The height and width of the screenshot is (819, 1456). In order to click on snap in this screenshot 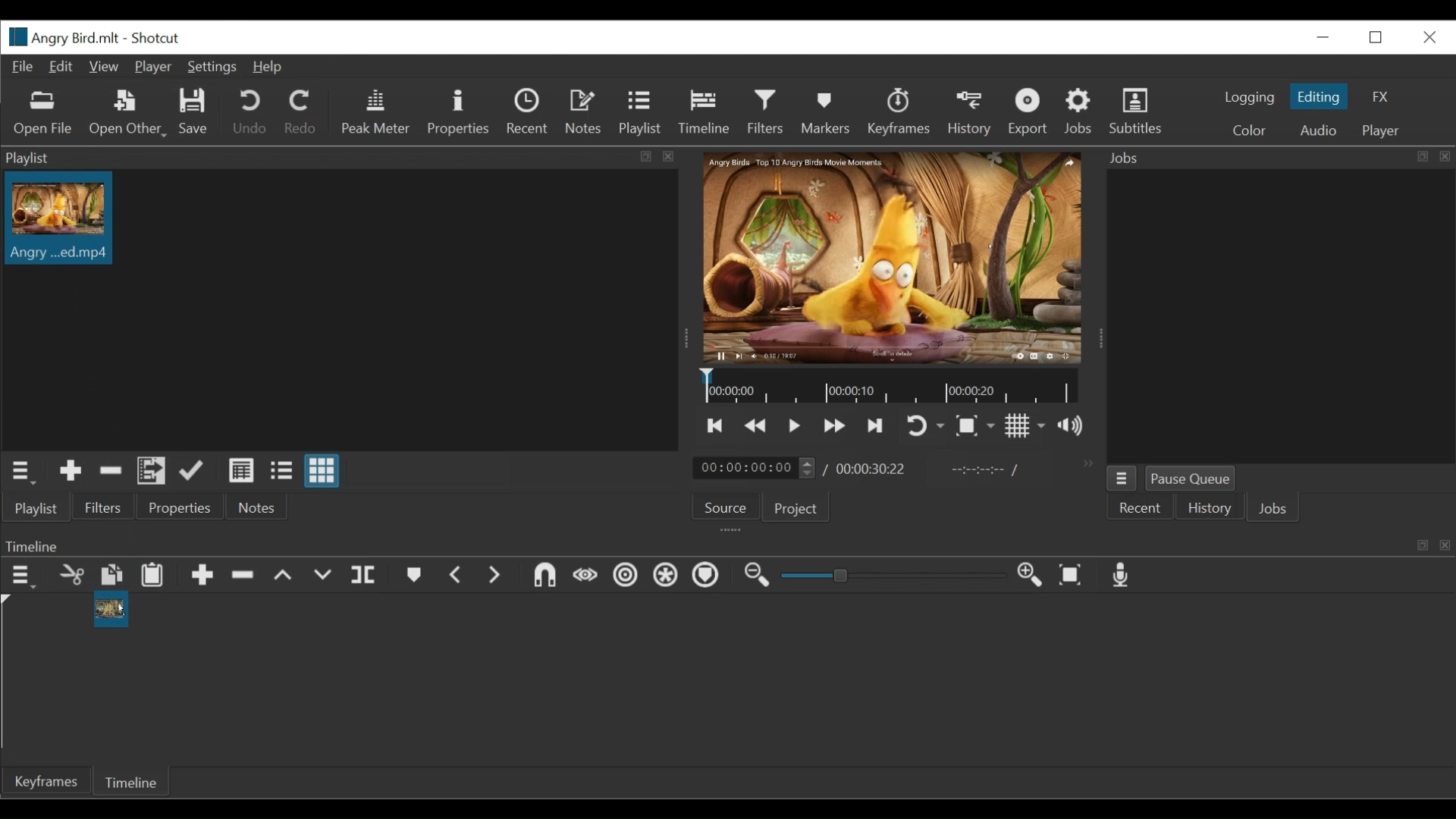, I will do `click(544, 575)`.